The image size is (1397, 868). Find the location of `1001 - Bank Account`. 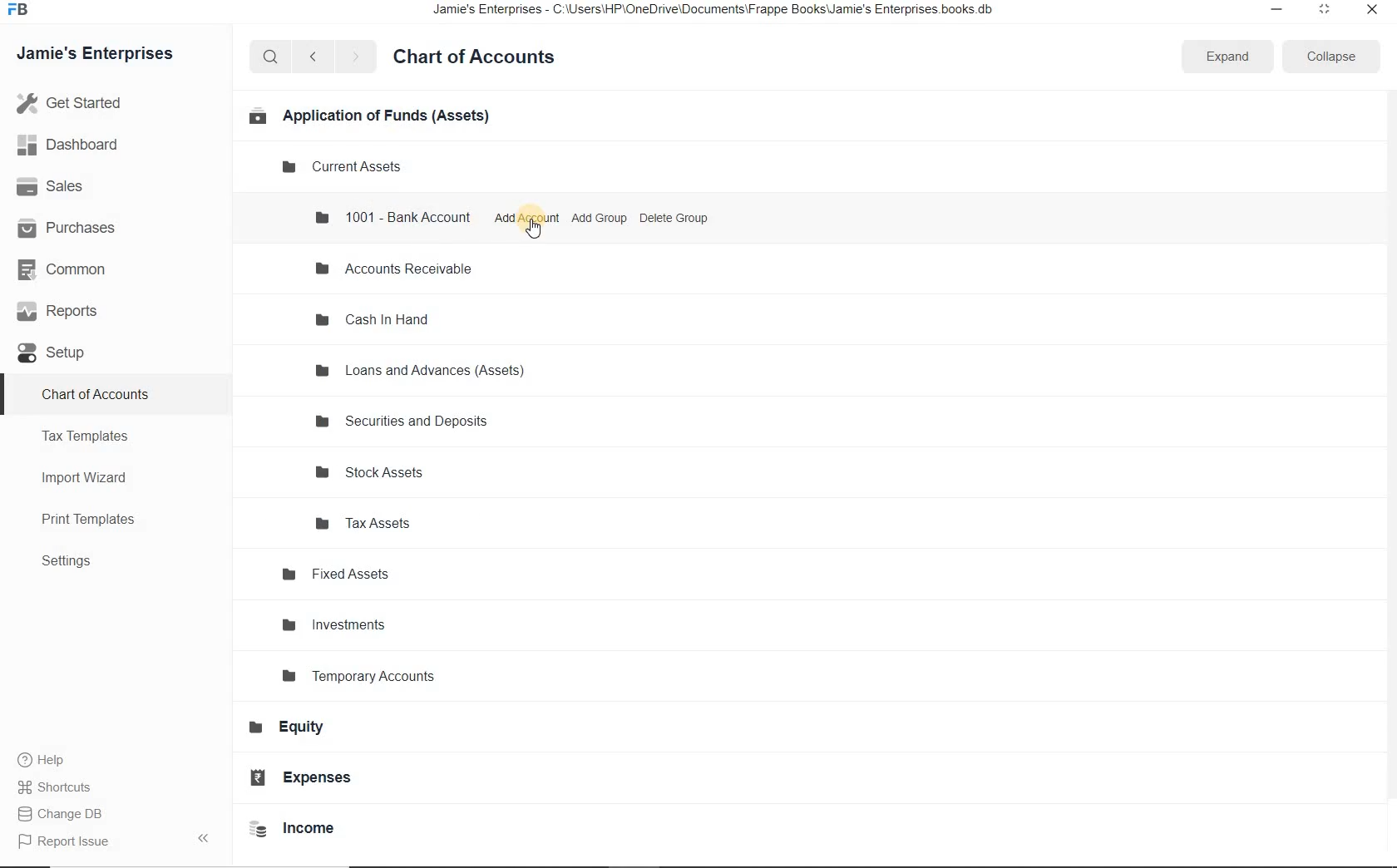

1001 - Bank Account is located at coordinates (393, 216).